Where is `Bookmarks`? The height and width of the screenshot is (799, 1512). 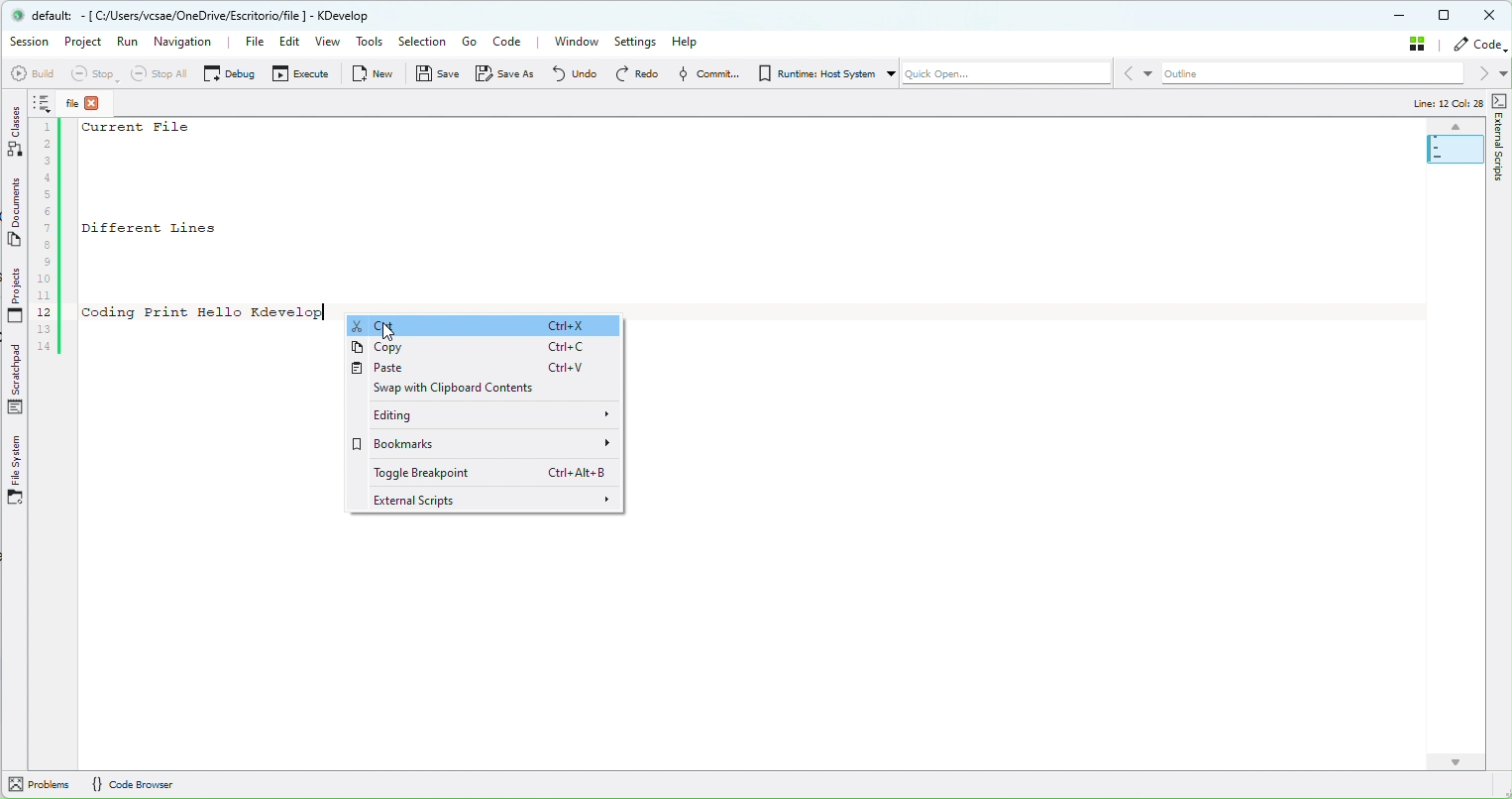
Bookmarks is located at coordinates (488, 444).